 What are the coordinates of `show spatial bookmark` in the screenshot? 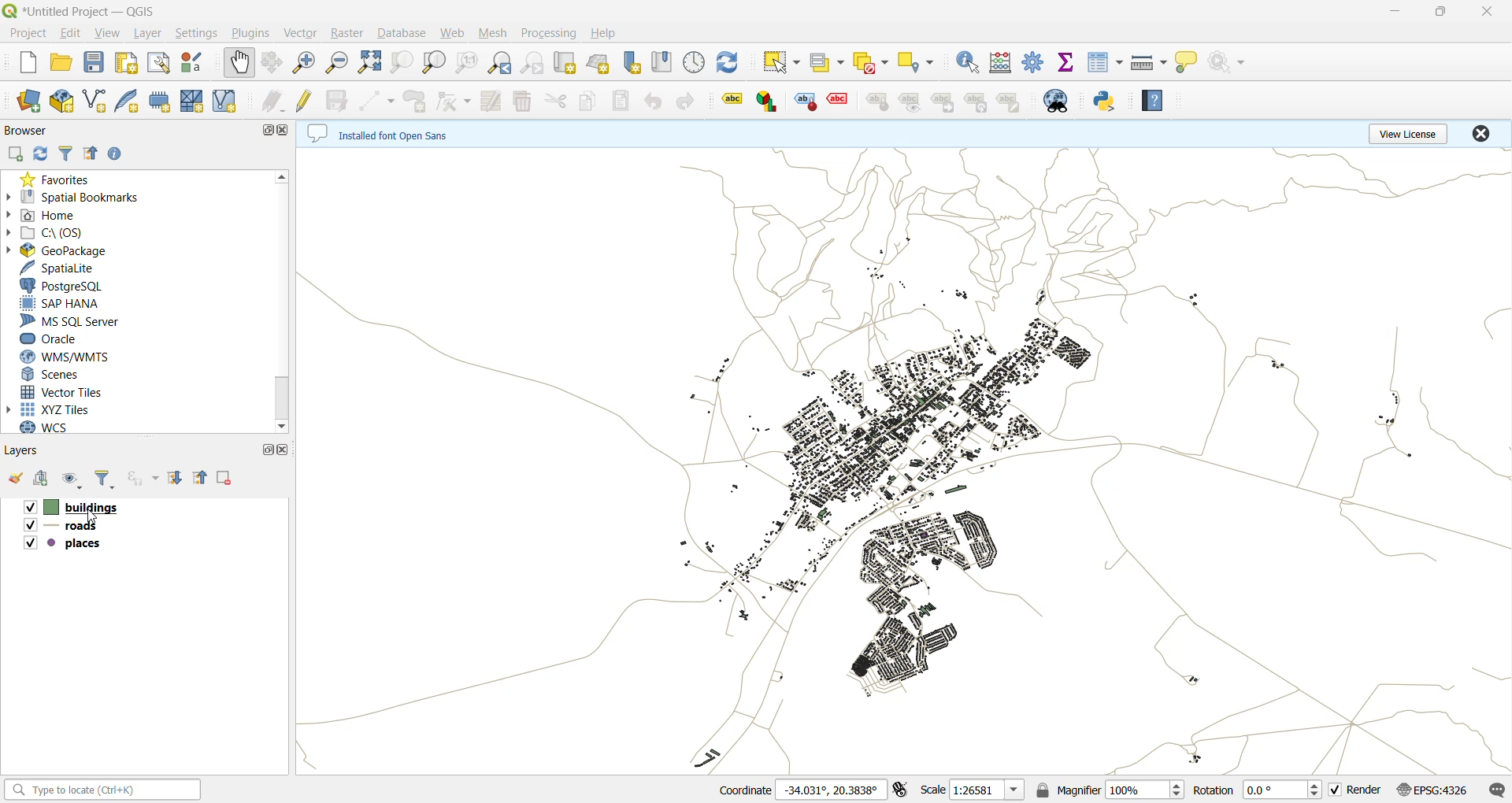 It's located at (662, 62).